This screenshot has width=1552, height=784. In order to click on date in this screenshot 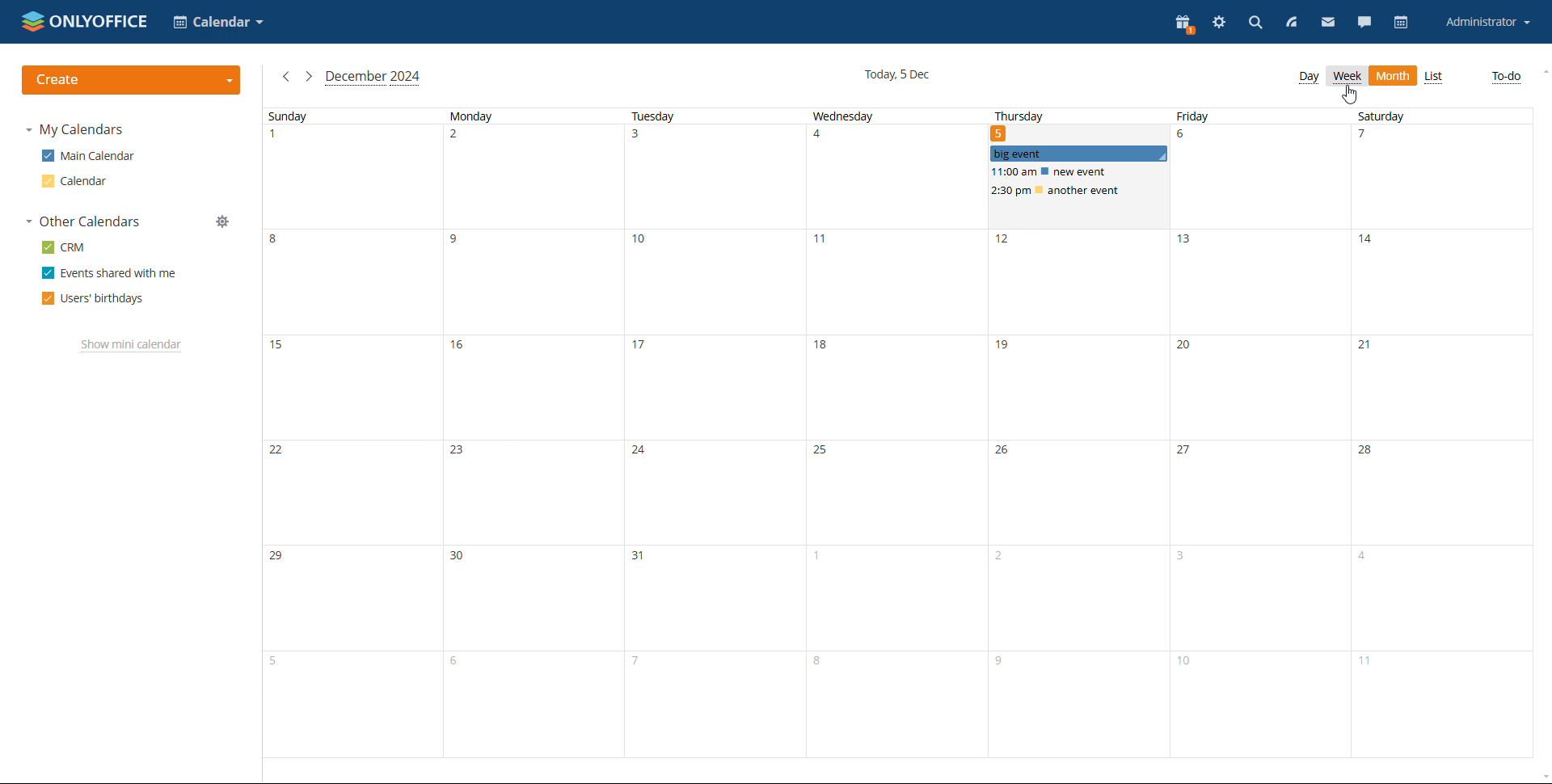, I will do `click(1002, 133)`.